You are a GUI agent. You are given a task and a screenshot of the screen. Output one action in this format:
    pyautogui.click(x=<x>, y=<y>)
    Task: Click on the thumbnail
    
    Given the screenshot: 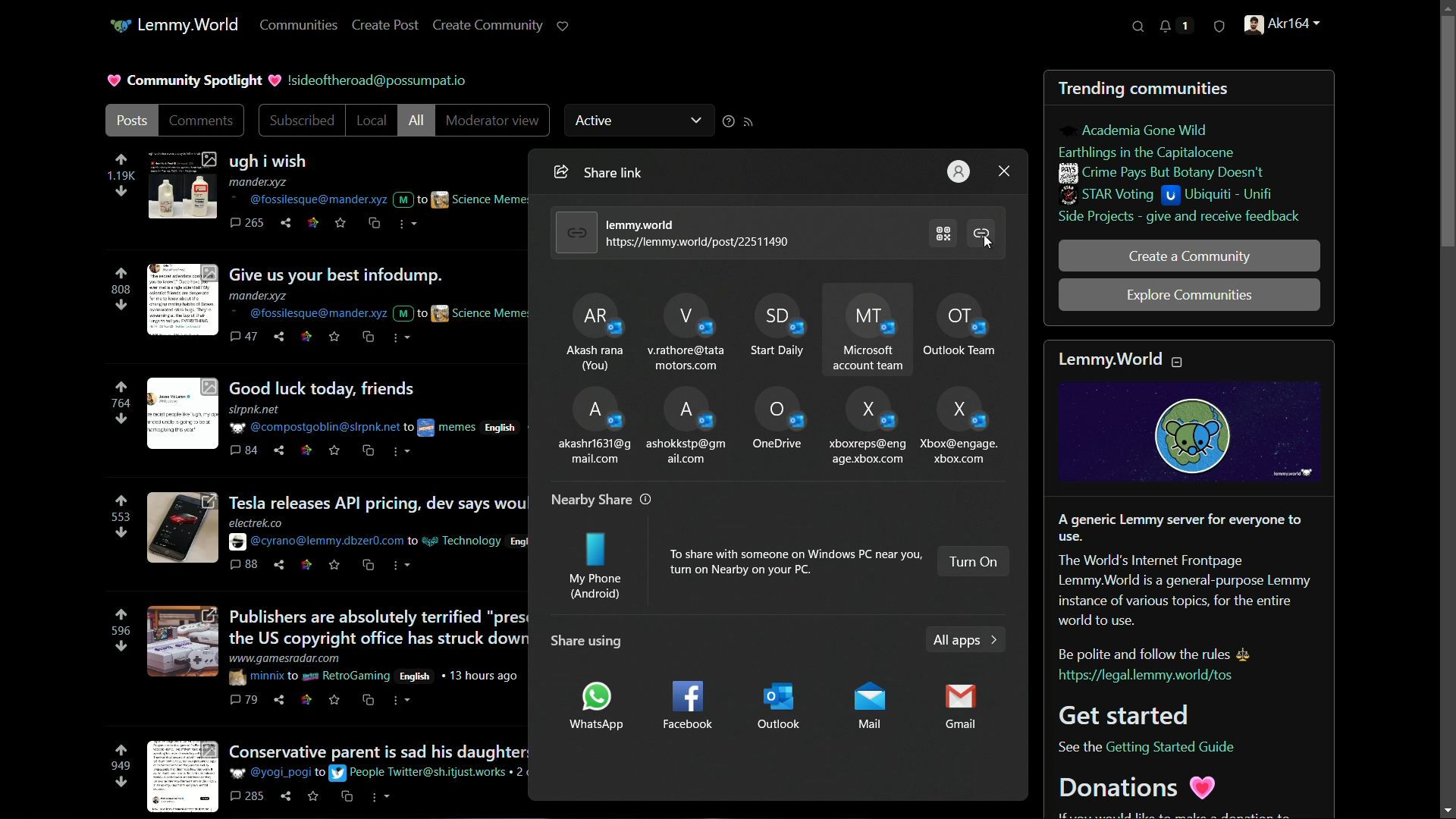 What is the action you would take?
    pyautogui.click(x=181, y=185)
    